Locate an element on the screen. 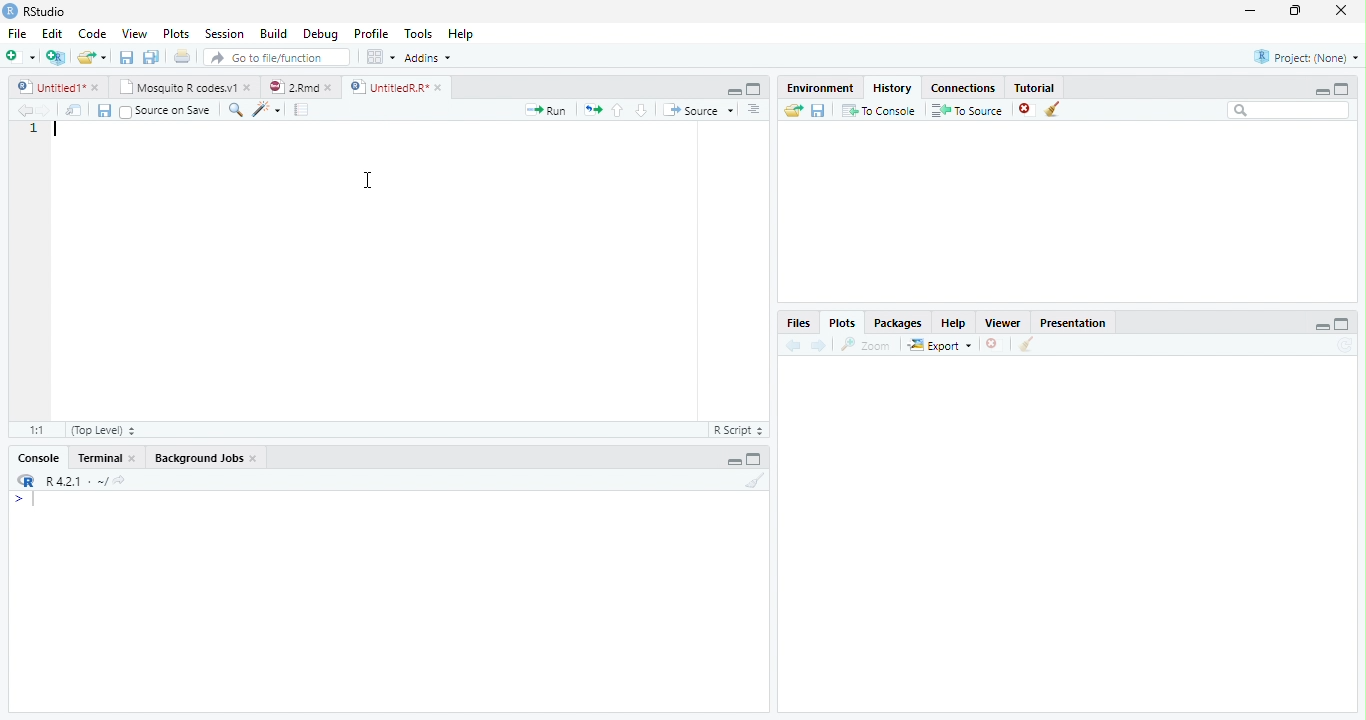 This screenshot has height=720, width=1366. To console is located at coordinates (880, 110).